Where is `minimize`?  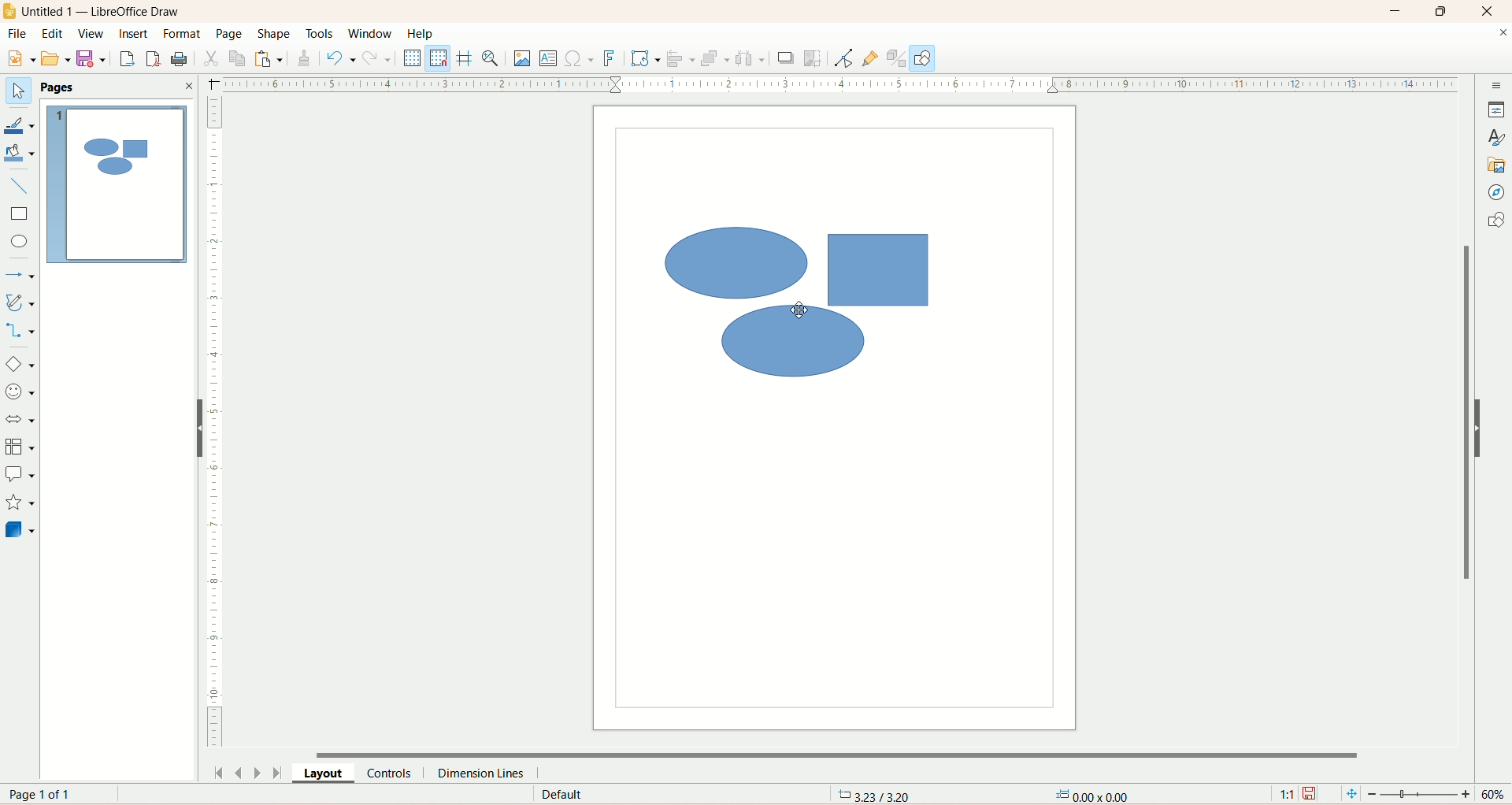 minimize is located at coordinates (1398, 11).